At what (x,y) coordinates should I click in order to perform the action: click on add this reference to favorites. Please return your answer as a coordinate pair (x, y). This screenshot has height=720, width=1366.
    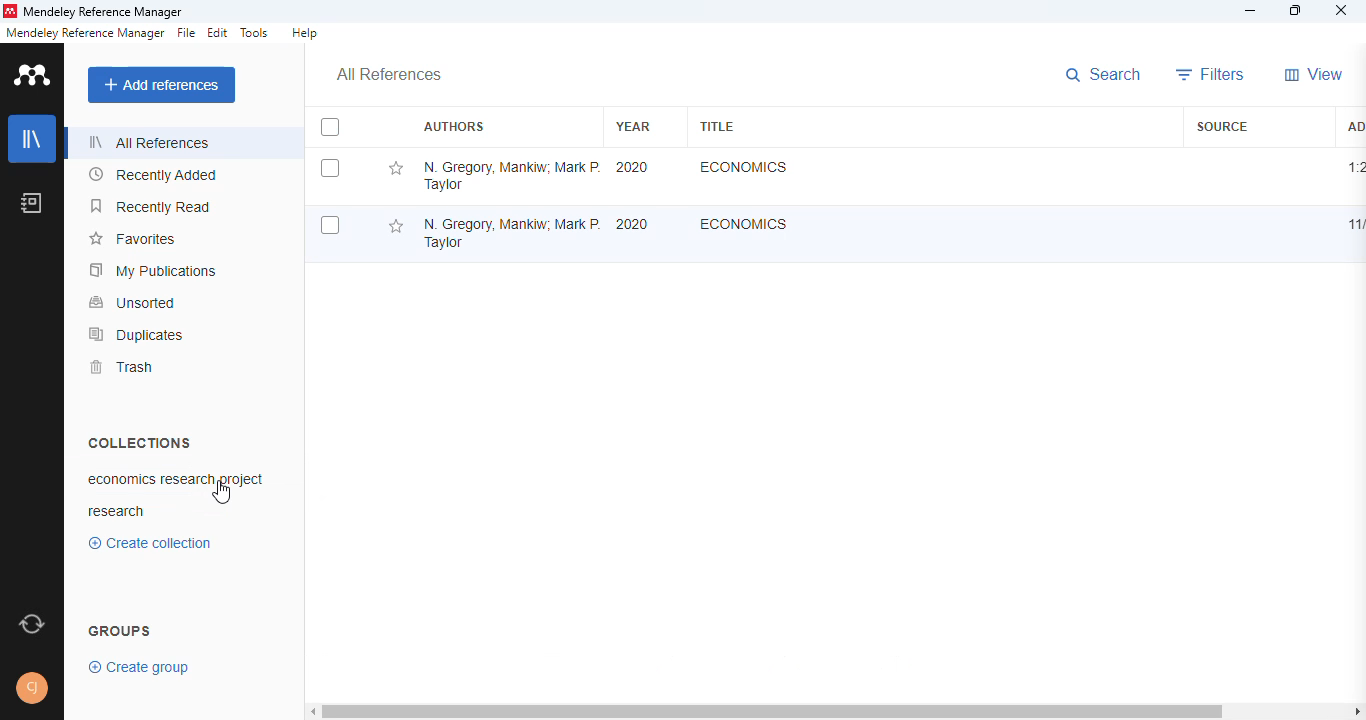
    Looking at the image, I should click on (395, 169).